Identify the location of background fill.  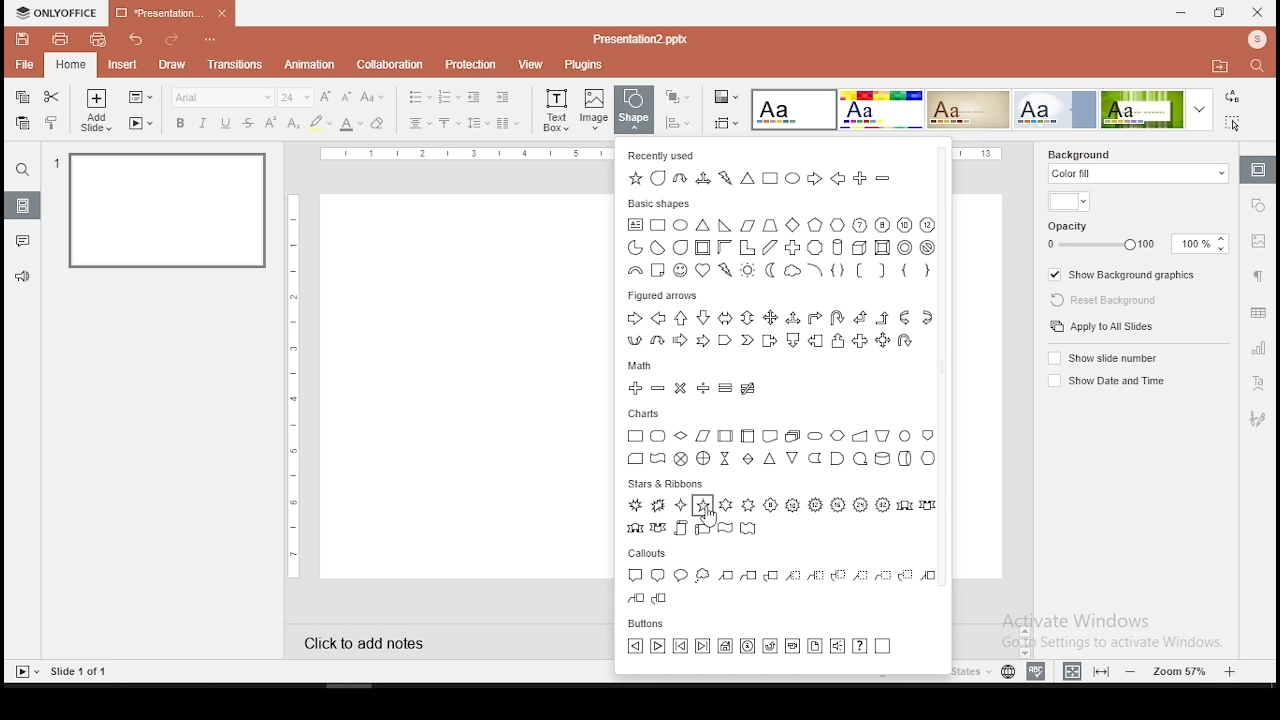
(1139, 168).